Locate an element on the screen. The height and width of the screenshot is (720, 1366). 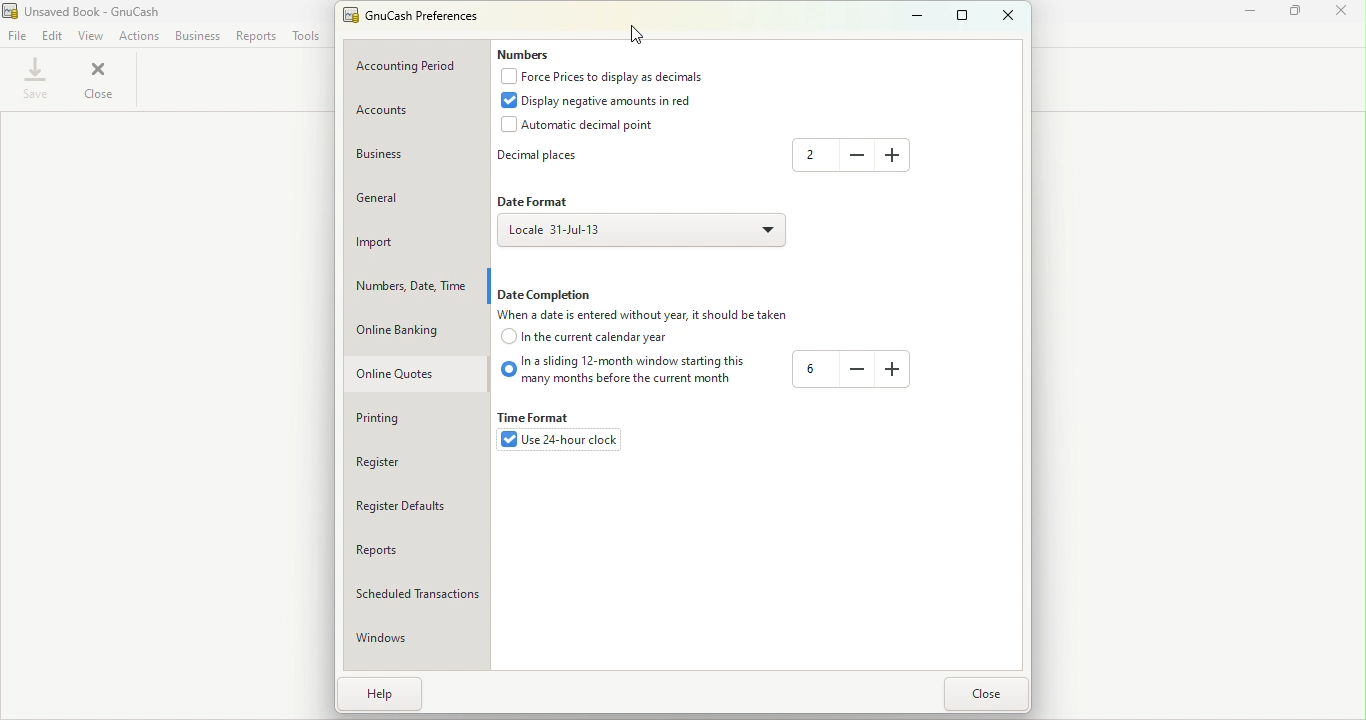
GnuCash Preferences is located at coordinates (417, 14).